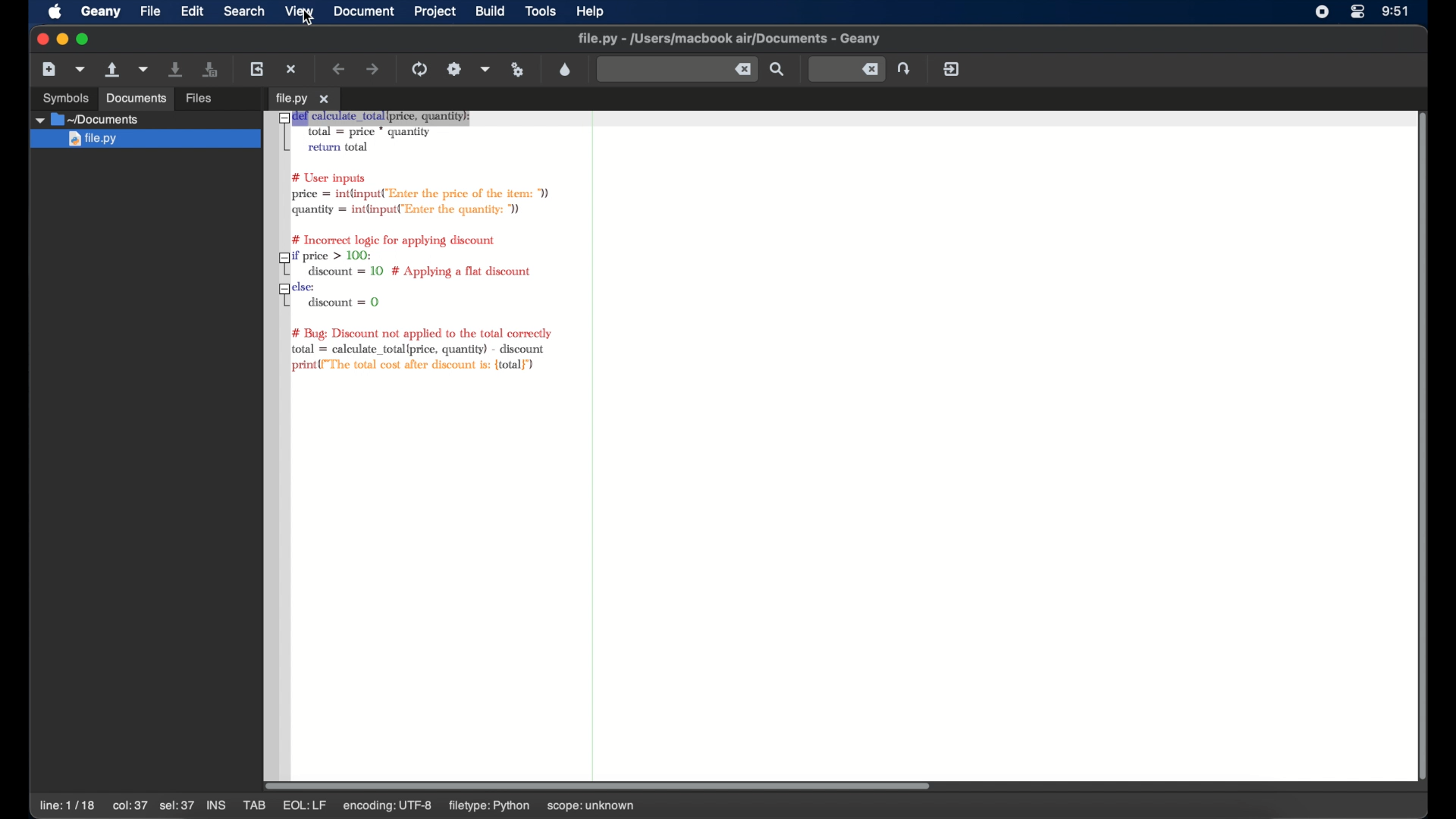 This screenshot has height=819, width=1456. What do you see at coordinates (177, 806) in the screenshot?
I see `sel:37` at bounding box center [177, 806].